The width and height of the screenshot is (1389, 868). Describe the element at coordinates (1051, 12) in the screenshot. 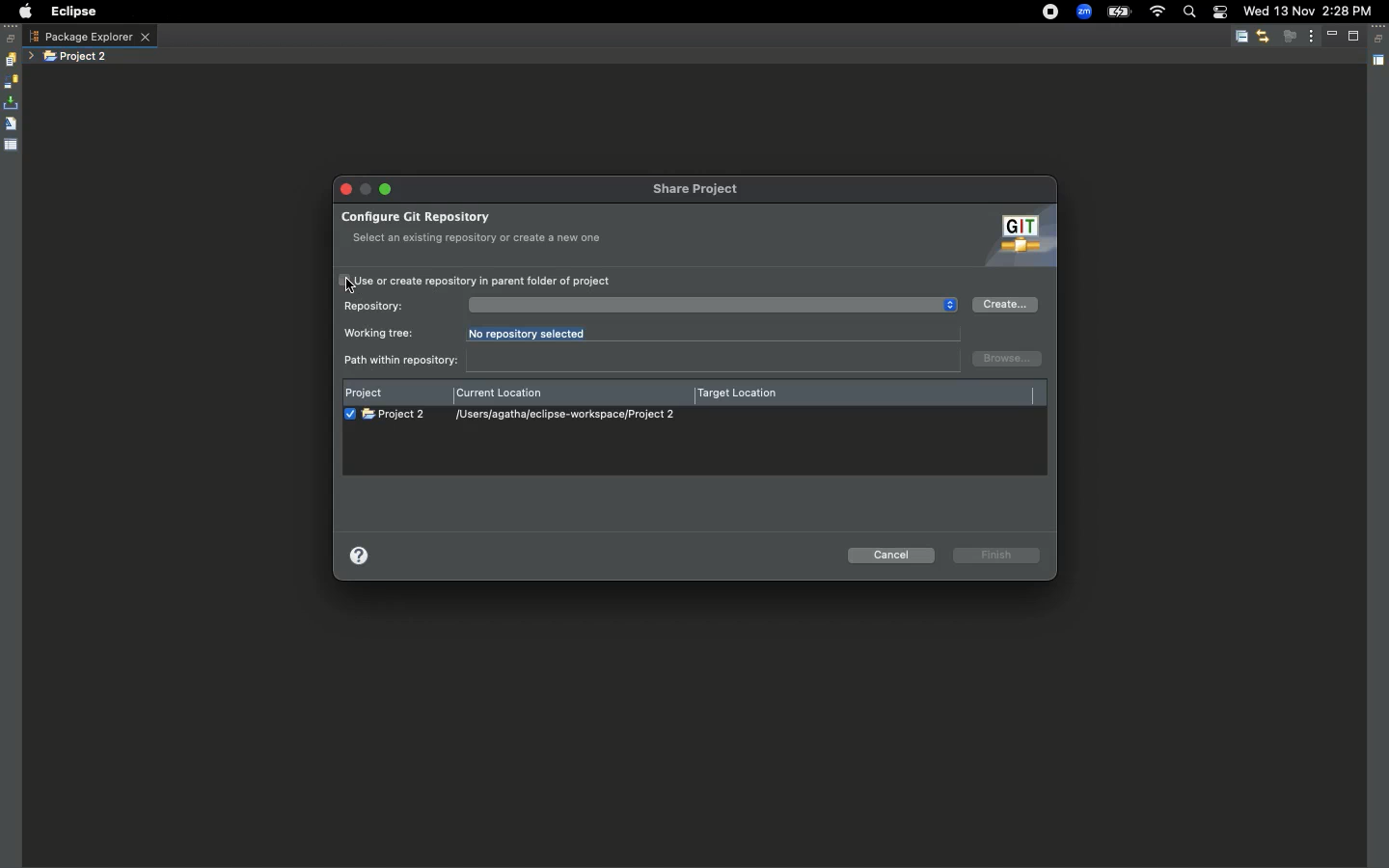

I see `Recording` at that location.